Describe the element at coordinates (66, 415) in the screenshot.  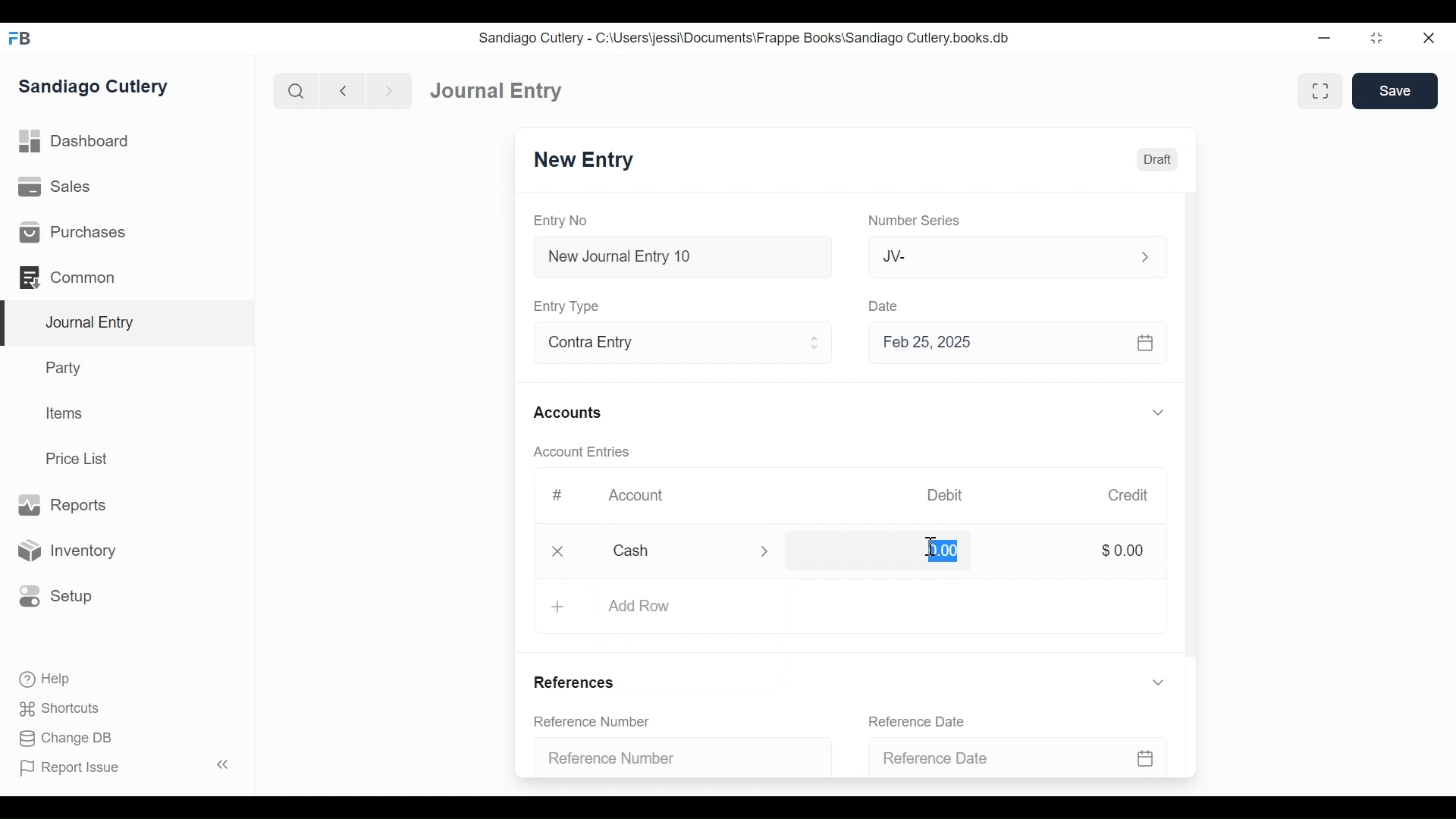
I see `Items` at that location.